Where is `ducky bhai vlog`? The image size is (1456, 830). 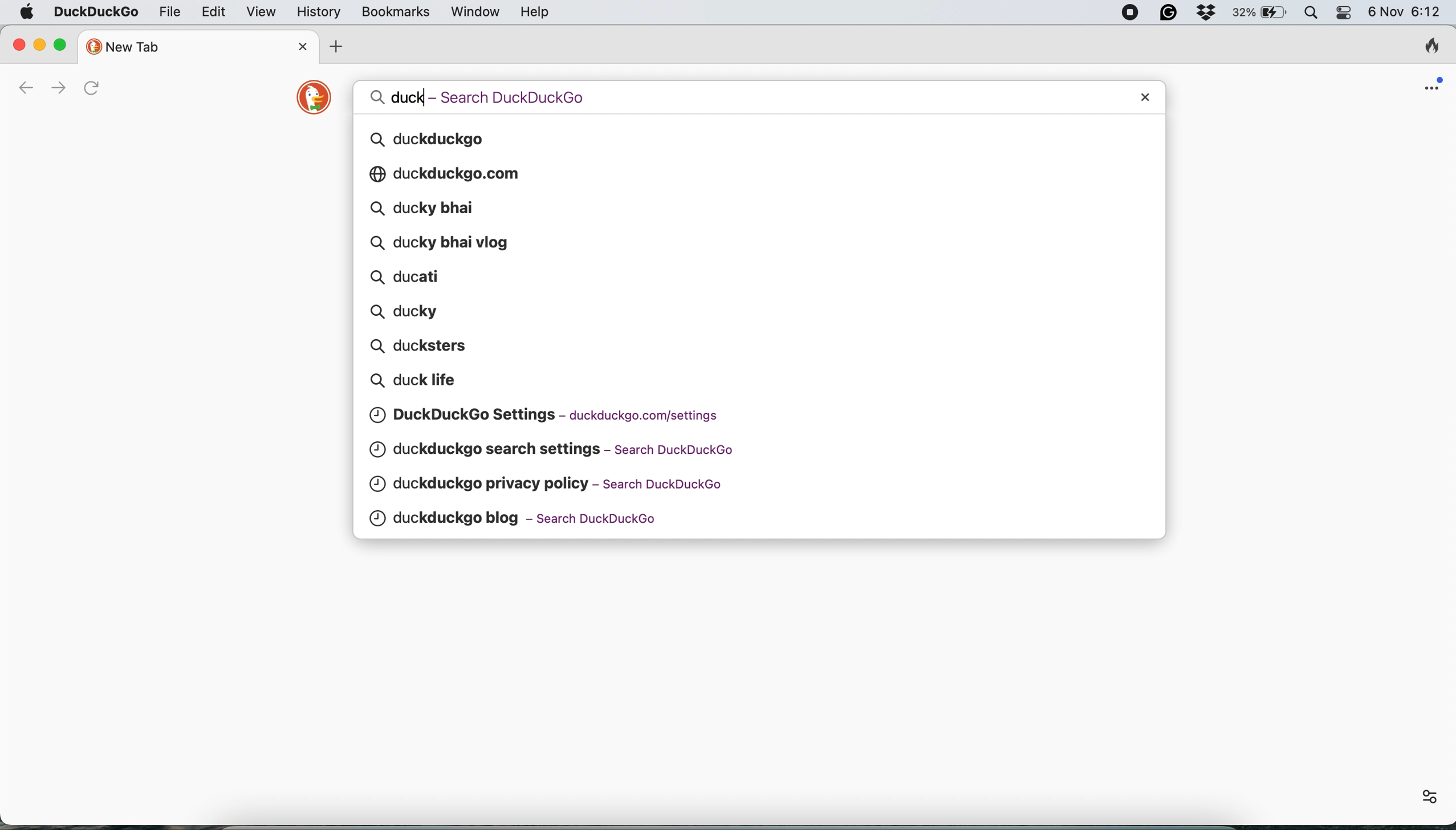 ducky bhai vlog is located at coordinates (440, 242).